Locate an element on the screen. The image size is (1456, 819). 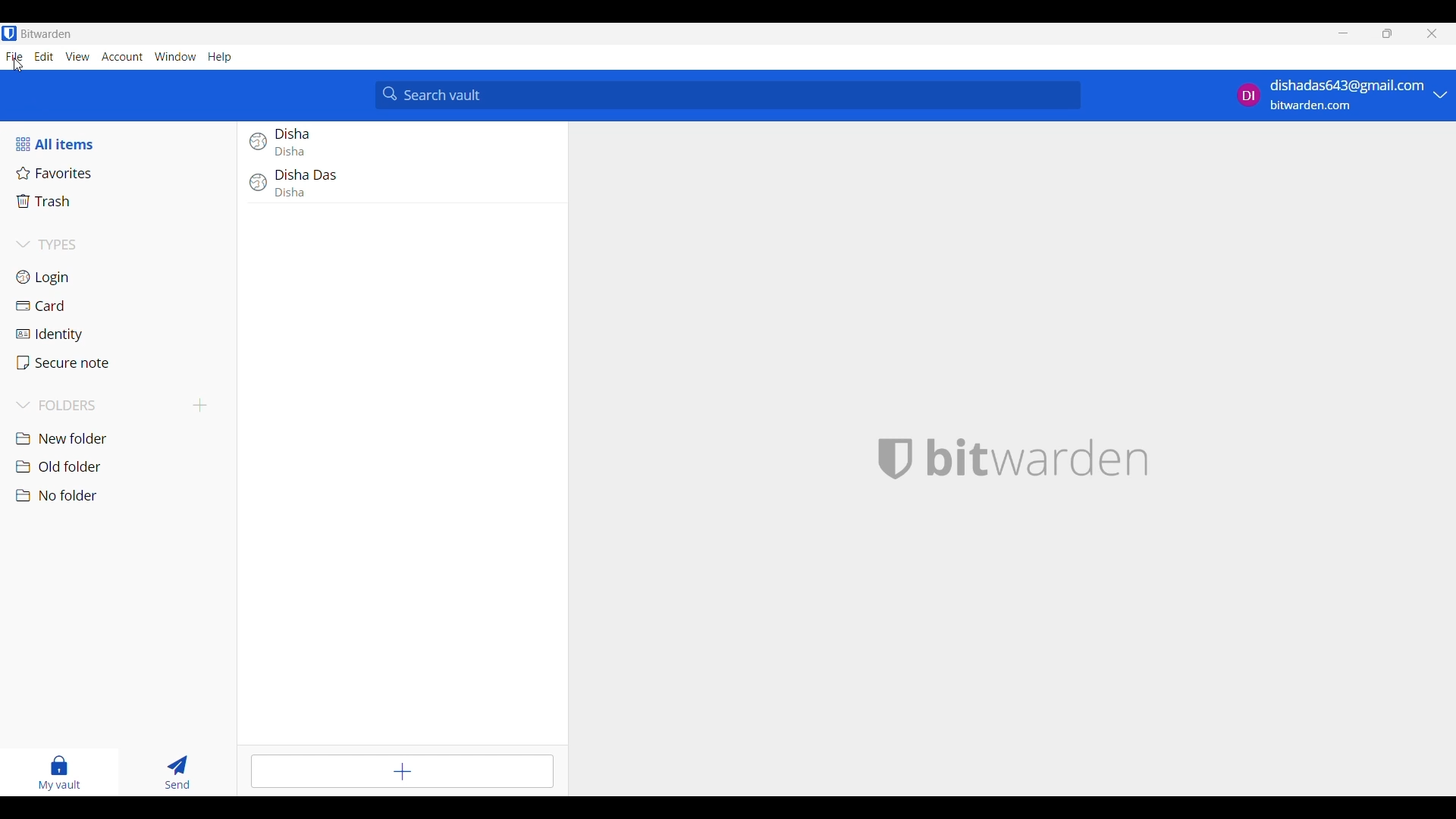
Collapse Types section is located at coordinates (123, 244).